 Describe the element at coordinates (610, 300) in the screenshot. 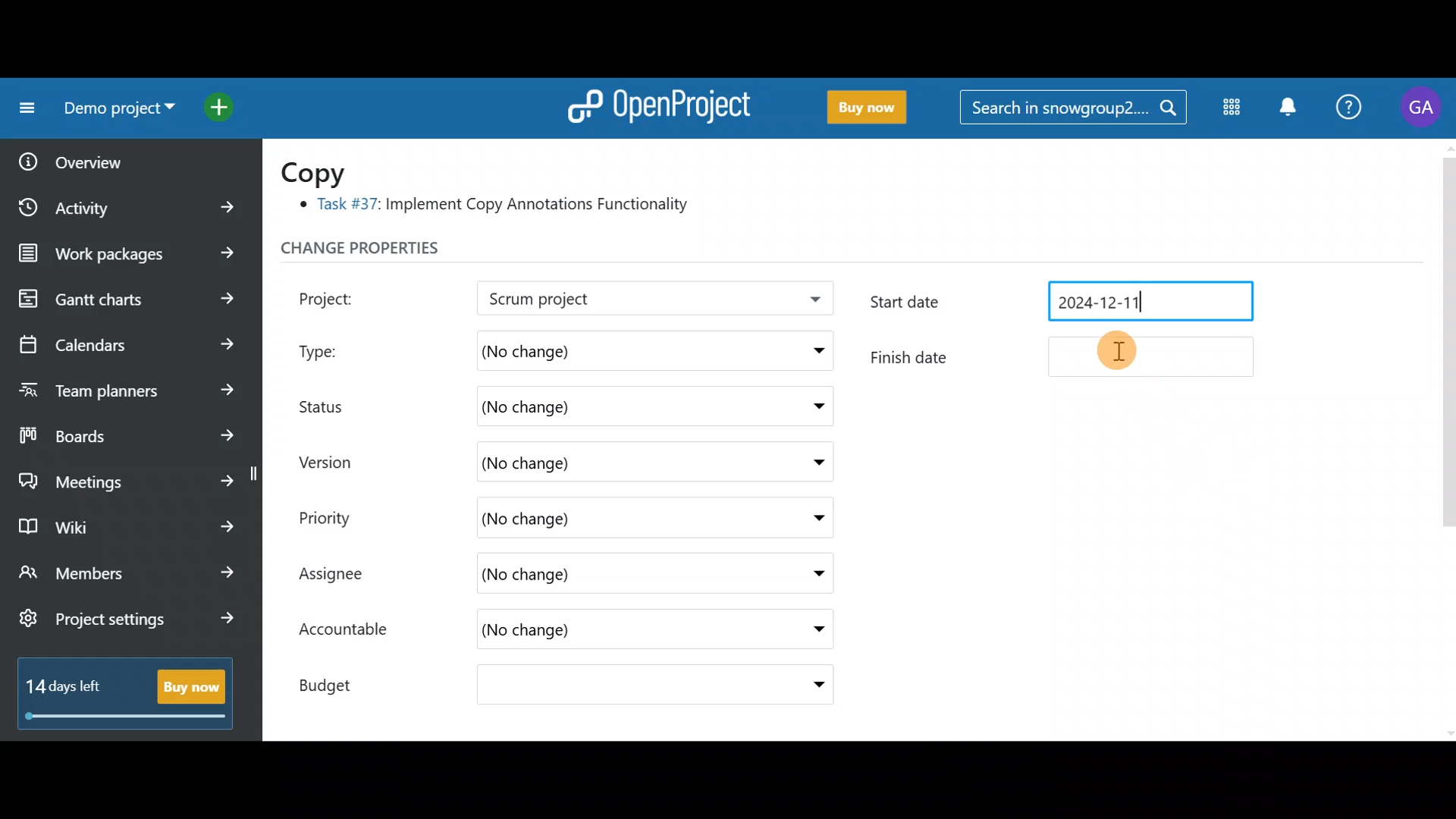

I see `Scrum project` at that location.